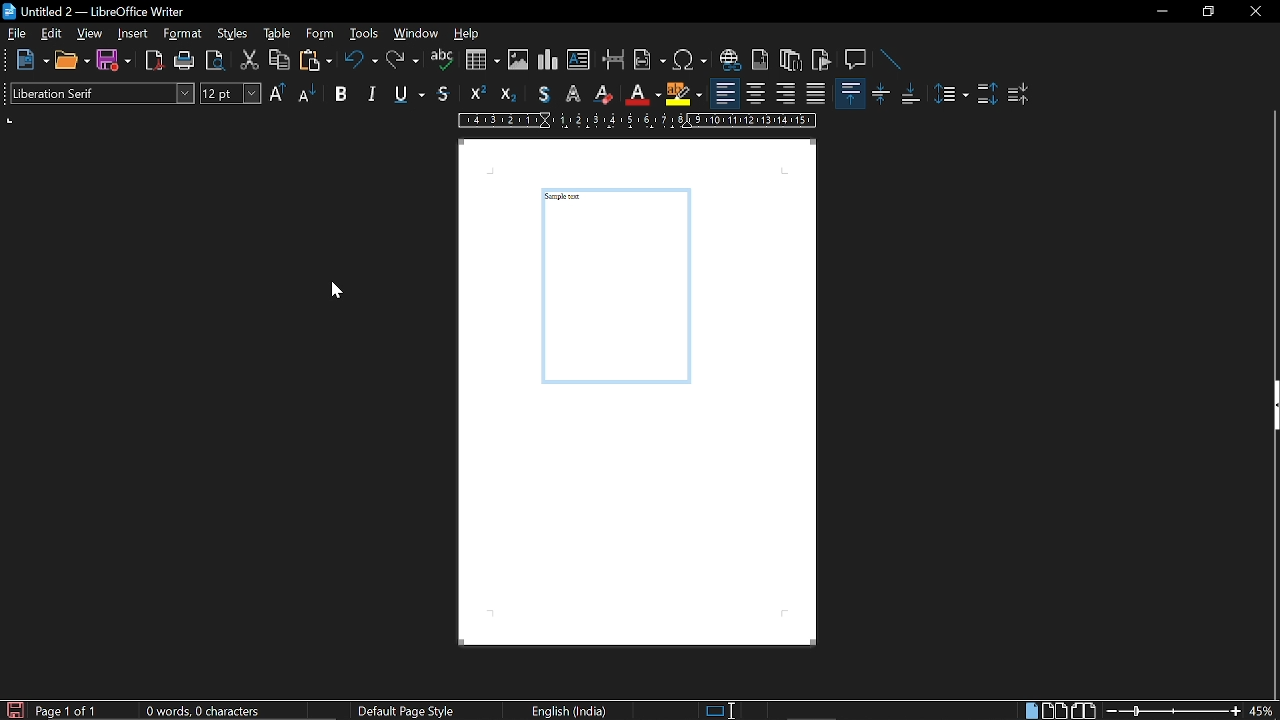 The image size is (1280, 720). I want to click on styles, so click(234, 36).